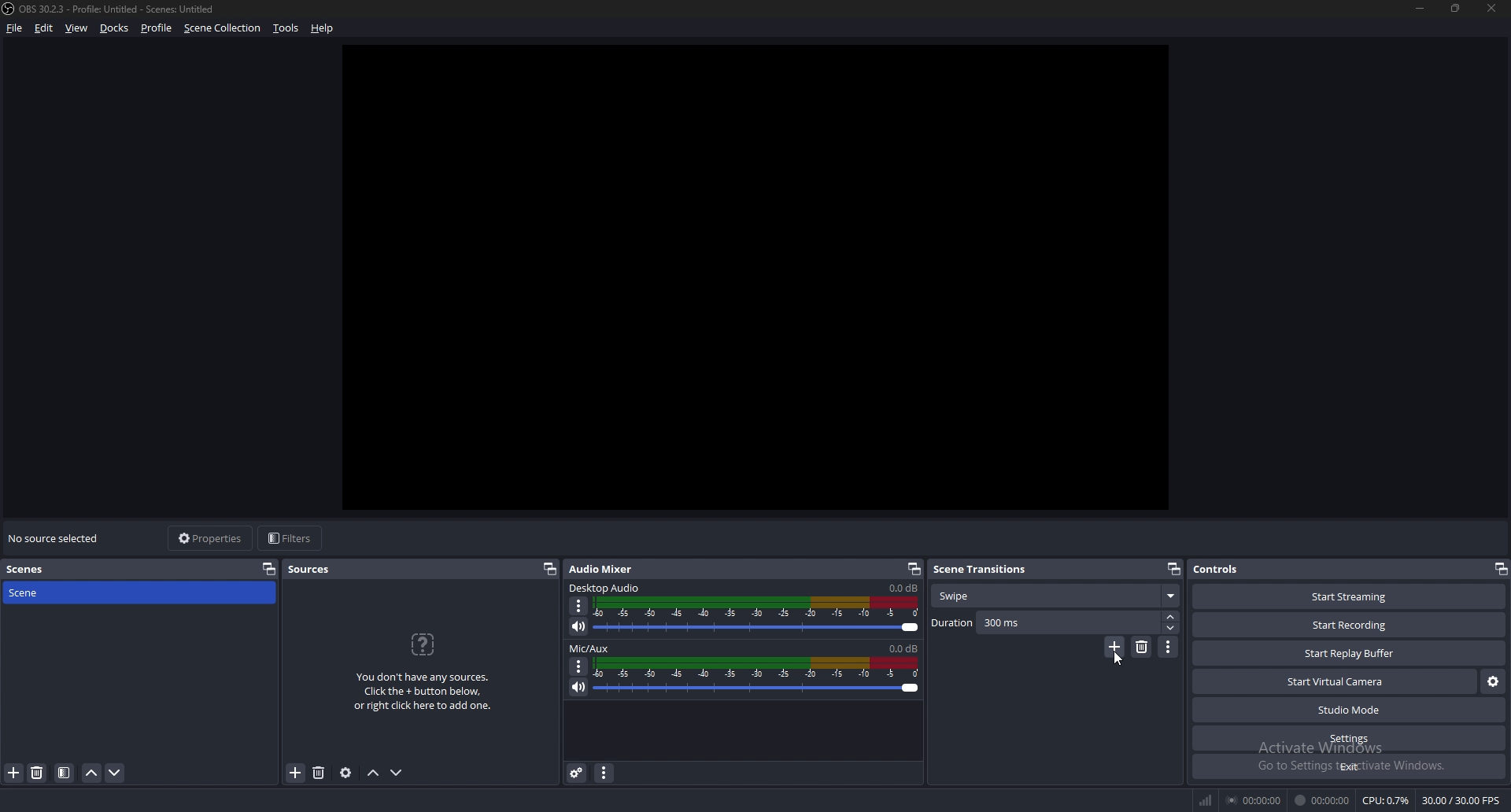  I want to click on pop out, so click(914, 570).